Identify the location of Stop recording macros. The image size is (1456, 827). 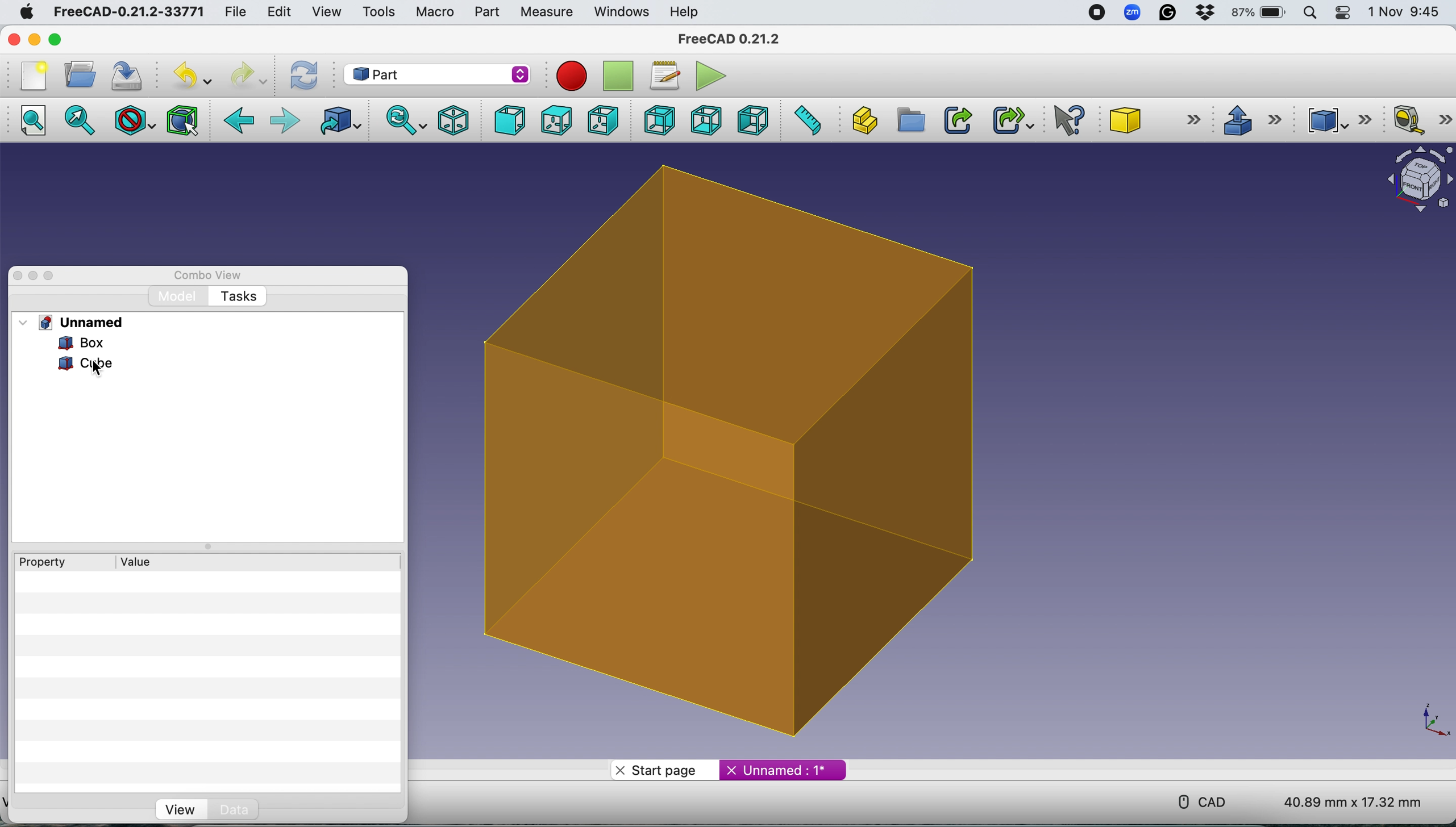
(620, 76).